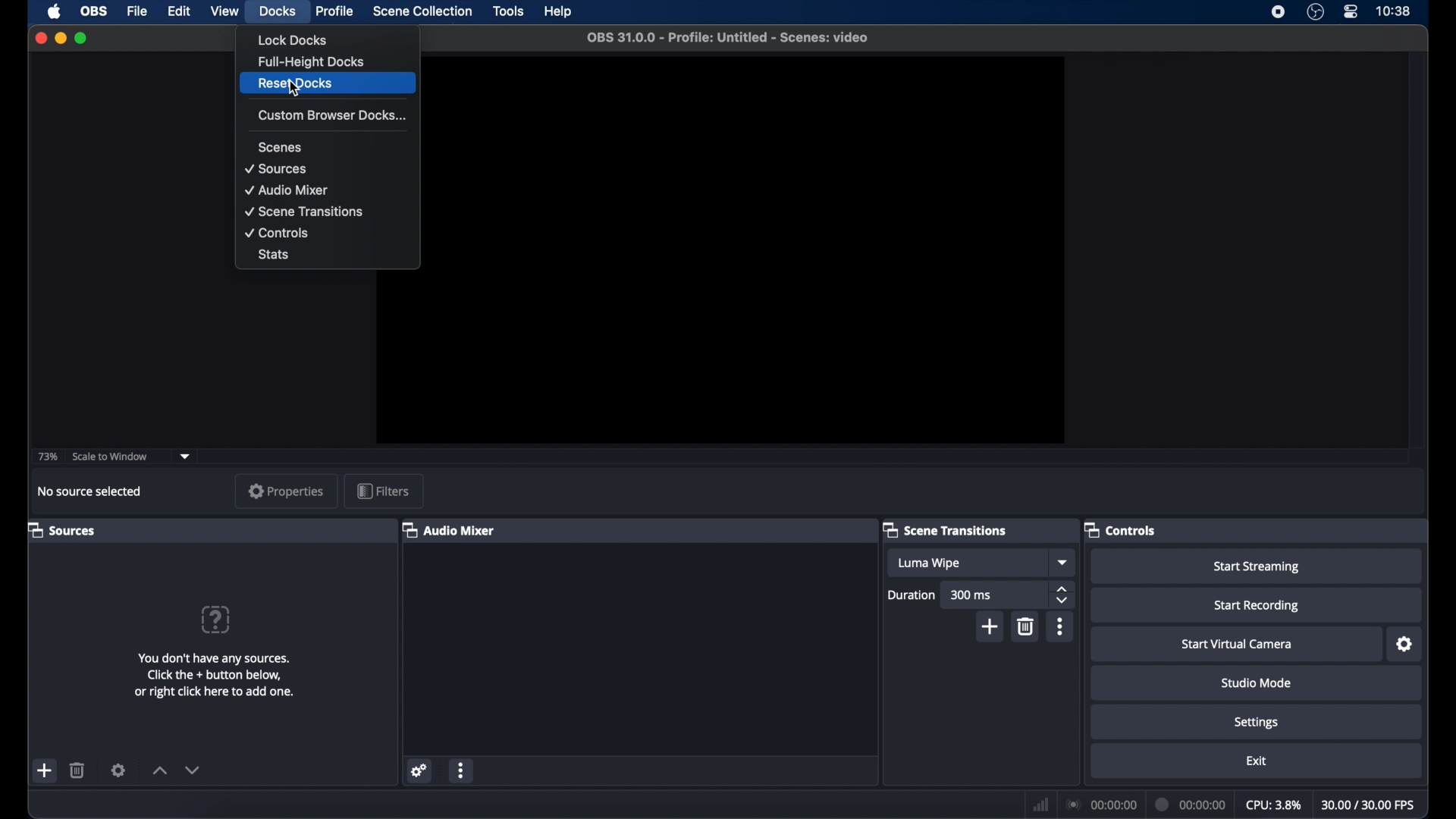 The width and height of the screenshot is (1456, 819). What do you see at coordinates (277, 168) in the screenshot?
I see `sources` at bounding box center [277, 168].